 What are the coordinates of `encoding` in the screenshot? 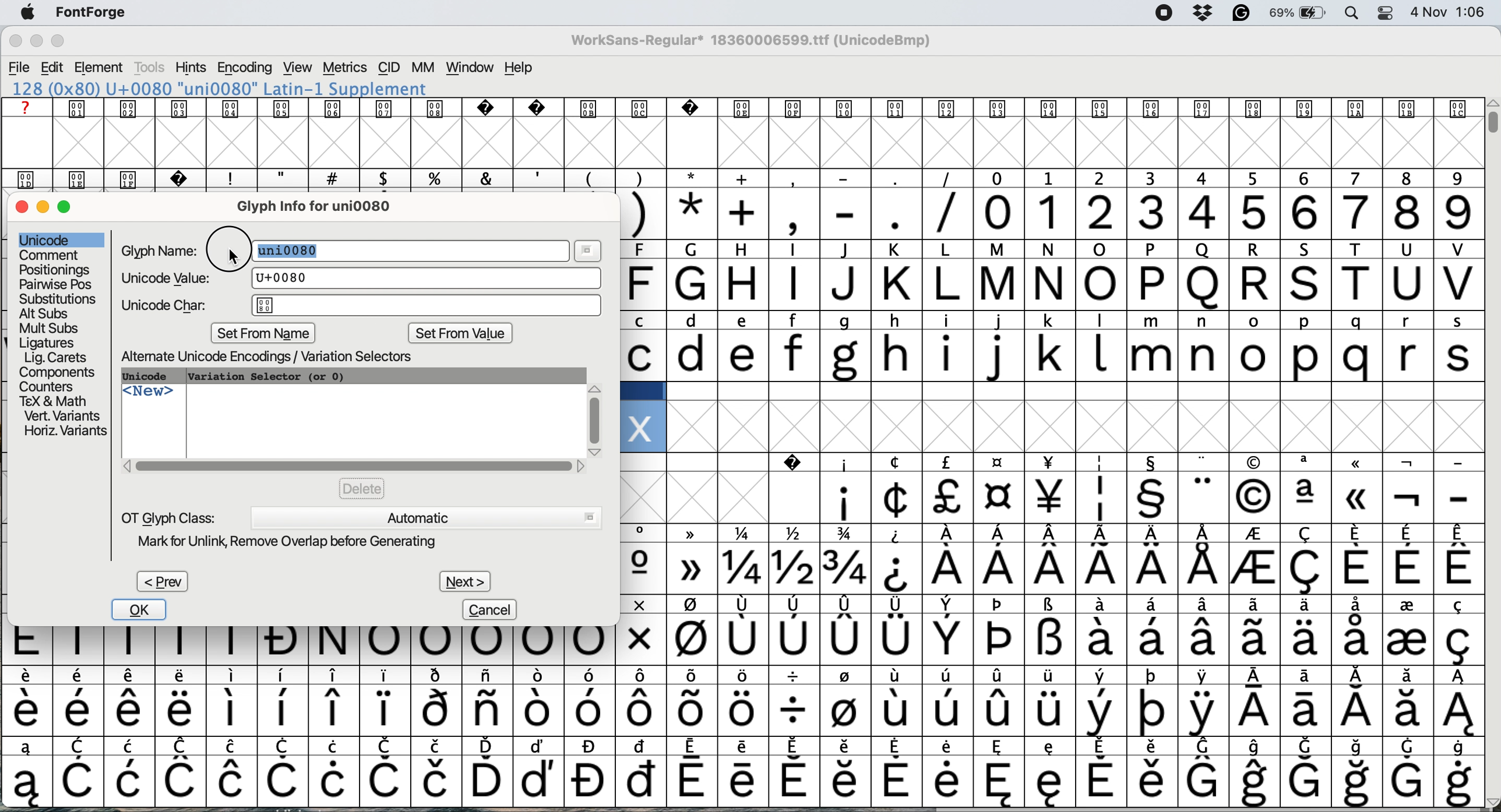 It's located at (244, 68).